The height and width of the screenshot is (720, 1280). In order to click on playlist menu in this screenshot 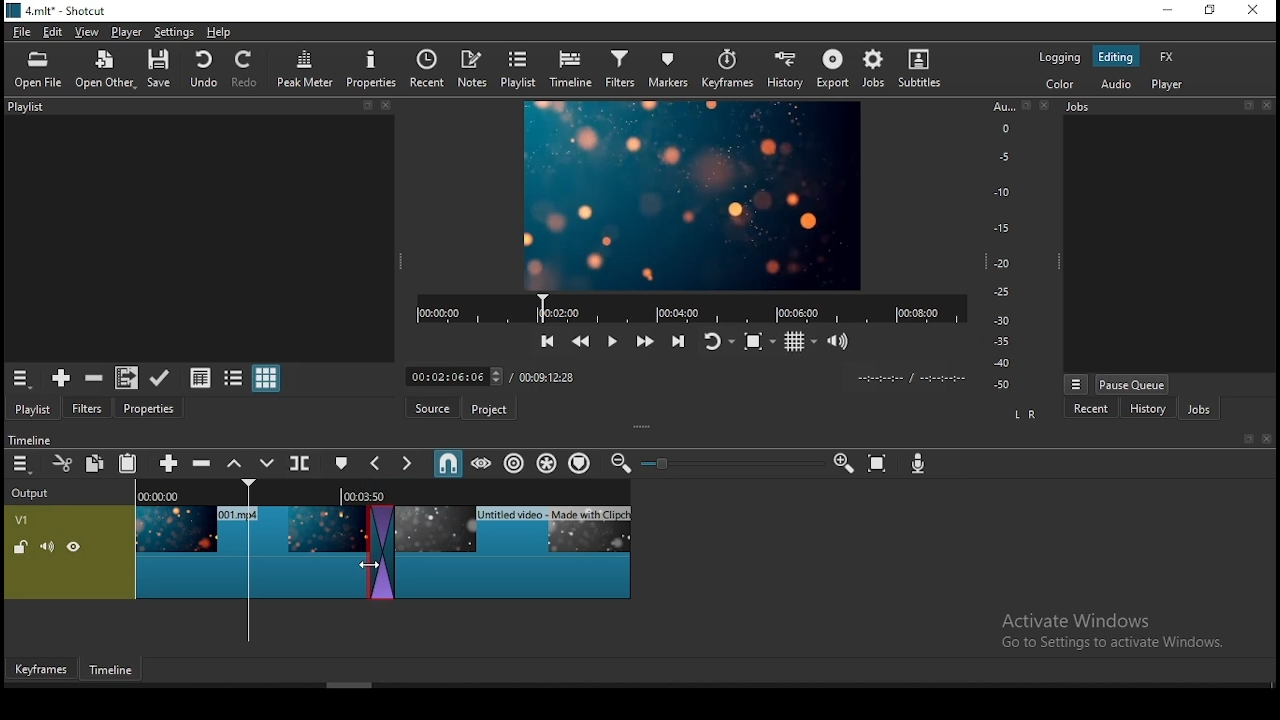, I will do `click(20, 378)`.